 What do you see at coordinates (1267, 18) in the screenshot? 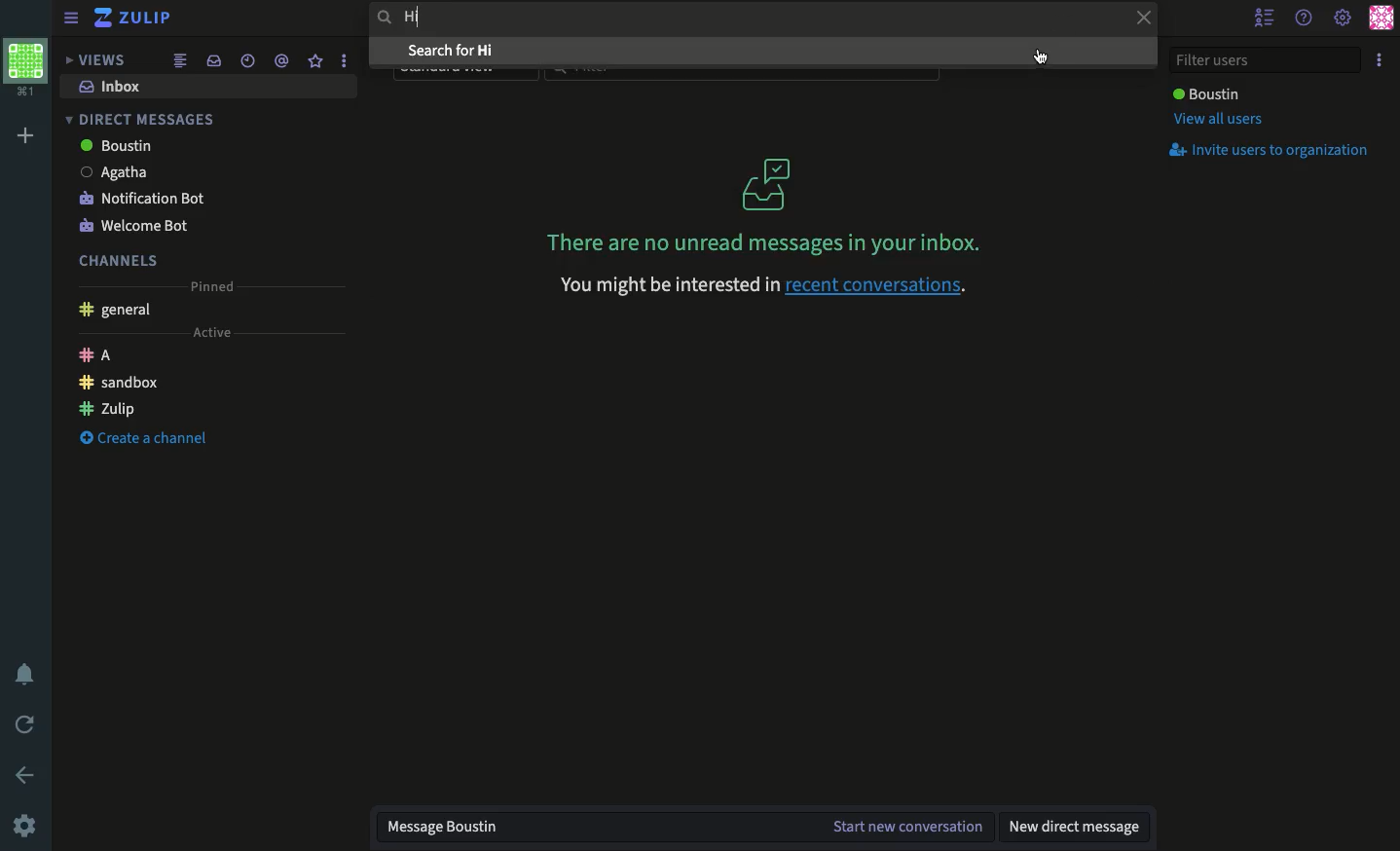
I see `Hide users list` at bounding box center [1267, 18].